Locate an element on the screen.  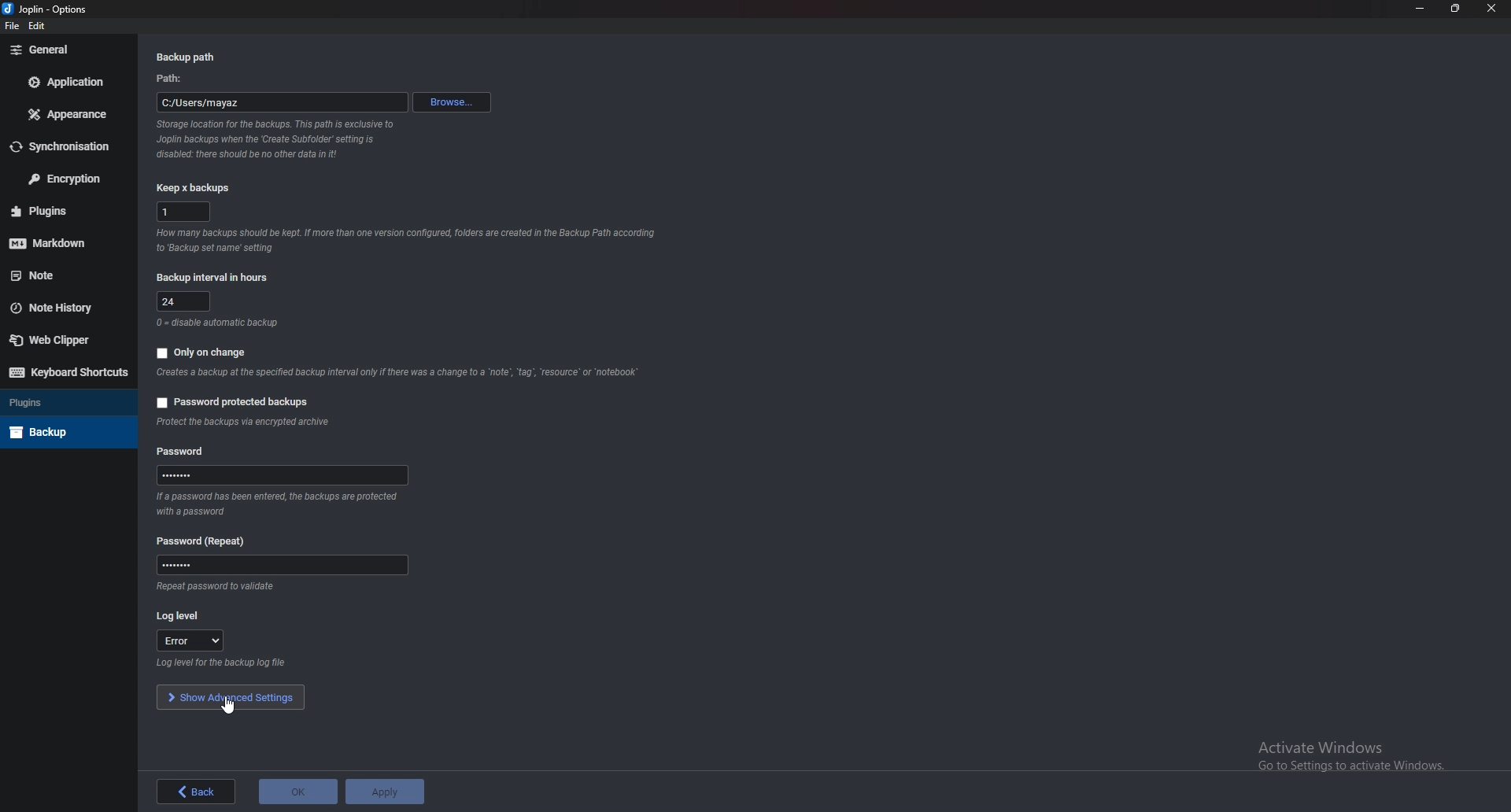
info is located at coordinates (277, 138).